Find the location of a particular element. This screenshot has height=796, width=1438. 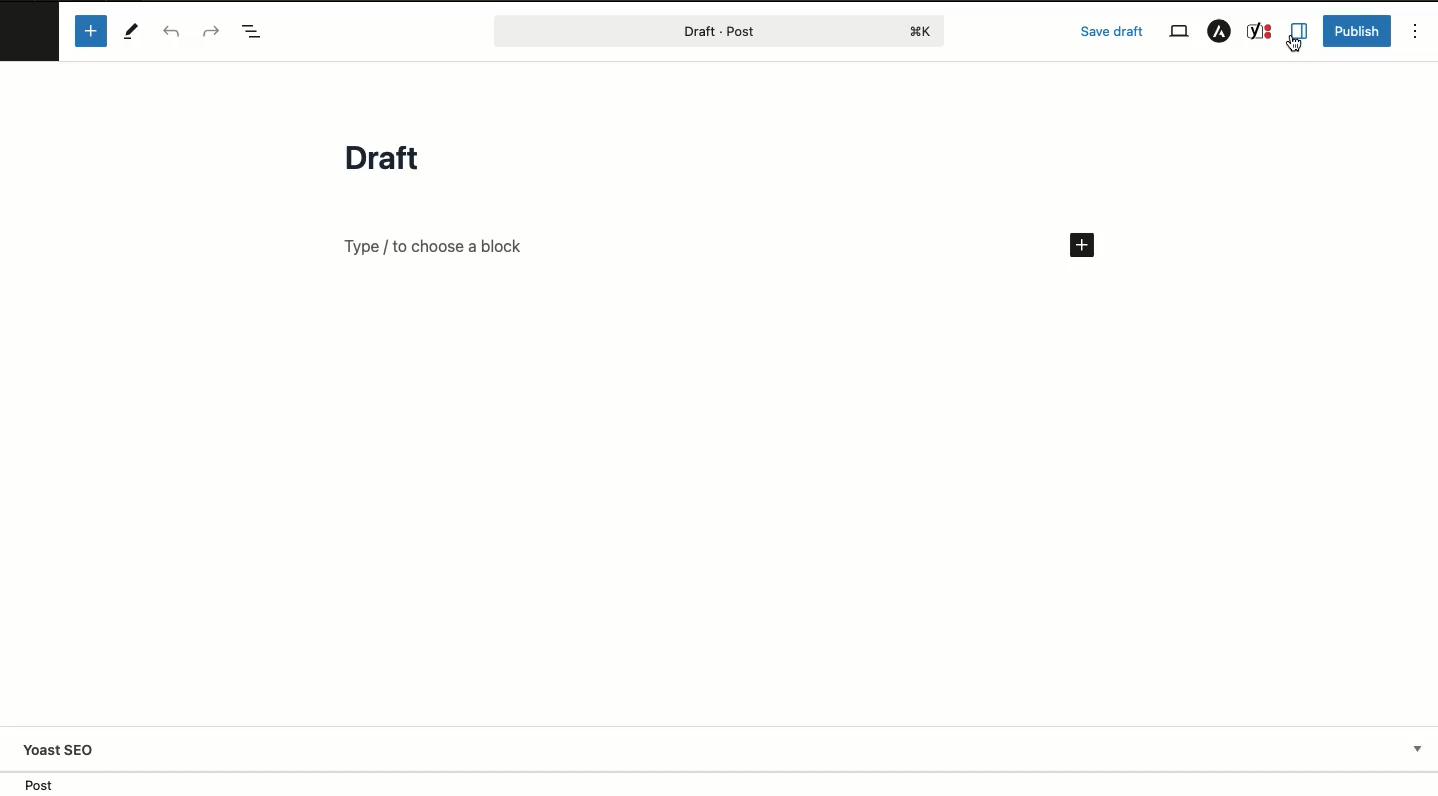

cursor is located at coordinates (1294, 45).